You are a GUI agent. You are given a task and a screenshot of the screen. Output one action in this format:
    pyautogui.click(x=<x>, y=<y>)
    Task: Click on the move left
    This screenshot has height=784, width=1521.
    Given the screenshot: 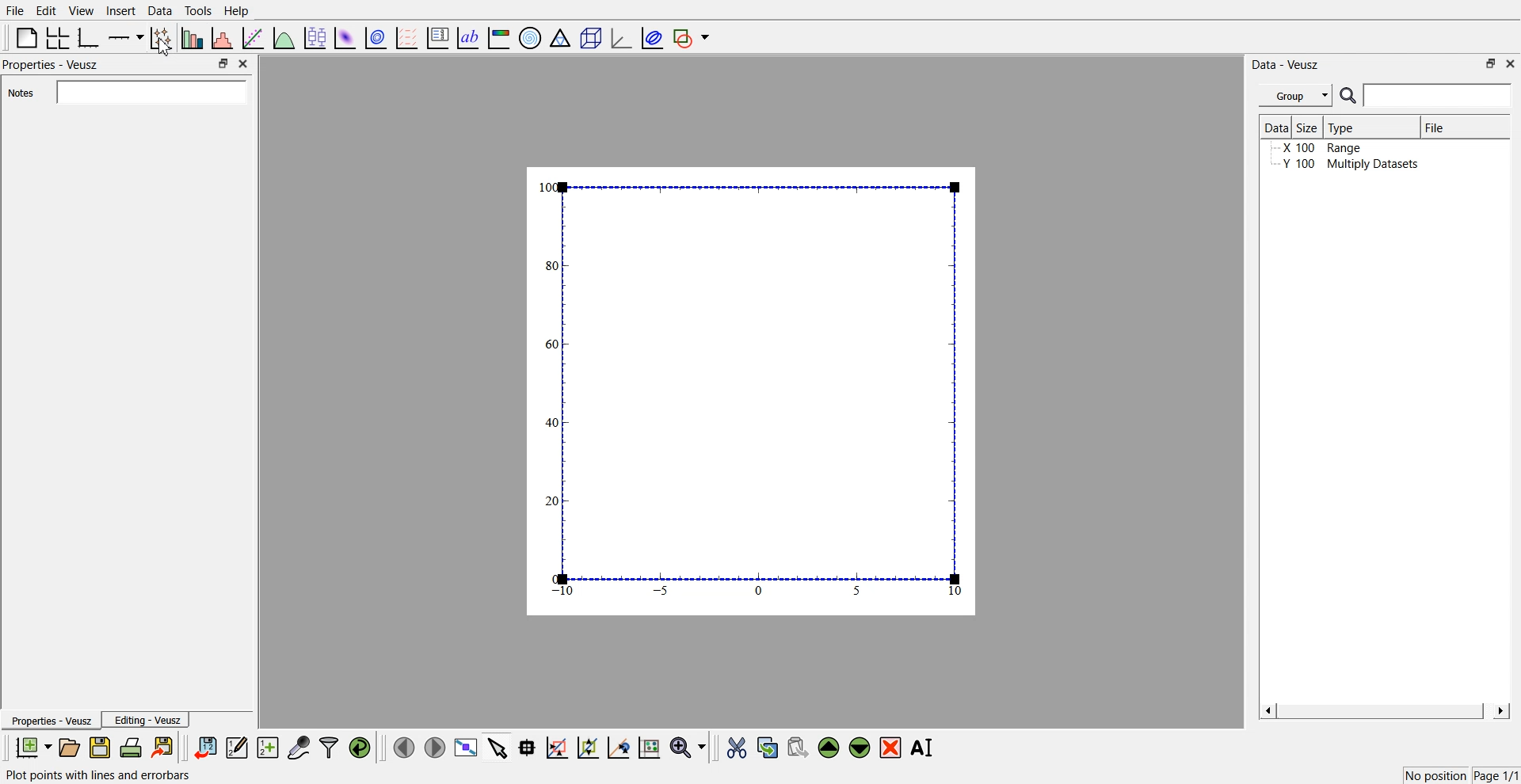 What is the action you would take?
    pyautogui.click(x=404, y=747)
    